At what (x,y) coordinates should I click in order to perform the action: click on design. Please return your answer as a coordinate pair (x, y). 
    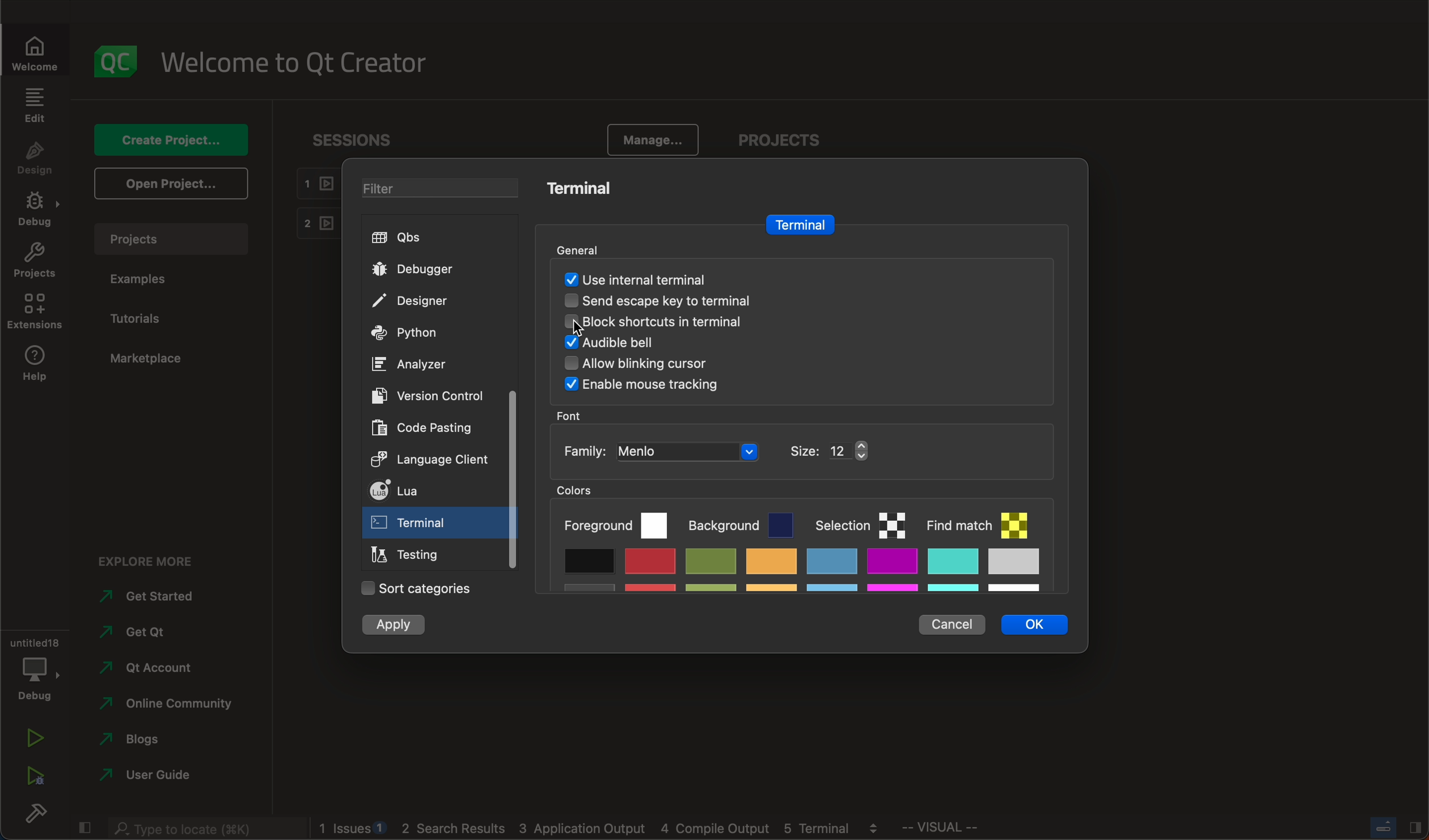
    Looking at the image, I should click on (38, 158).